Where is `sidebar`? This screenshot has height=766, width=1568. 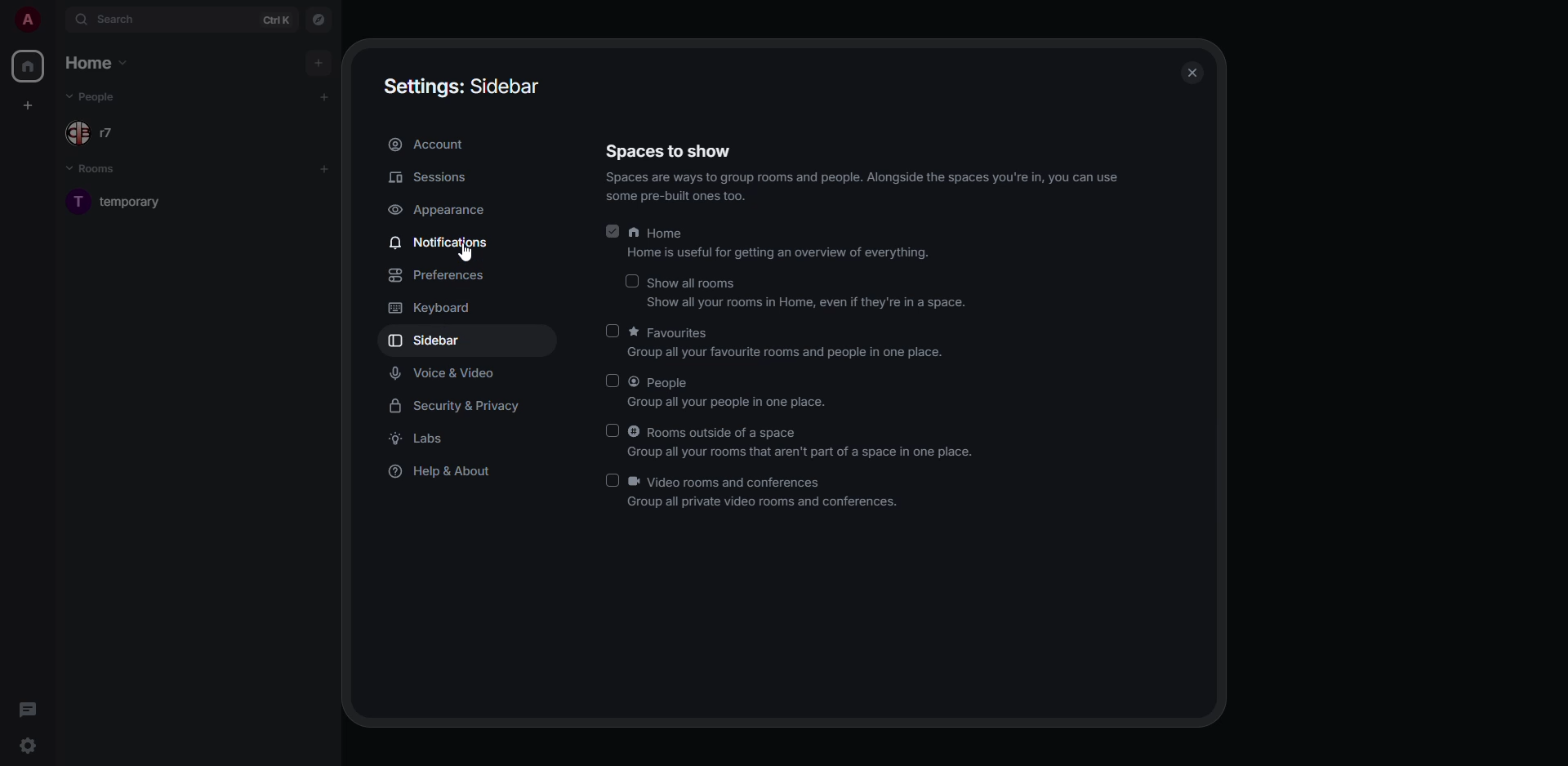 sidebar is located at coordinates (427, 340).